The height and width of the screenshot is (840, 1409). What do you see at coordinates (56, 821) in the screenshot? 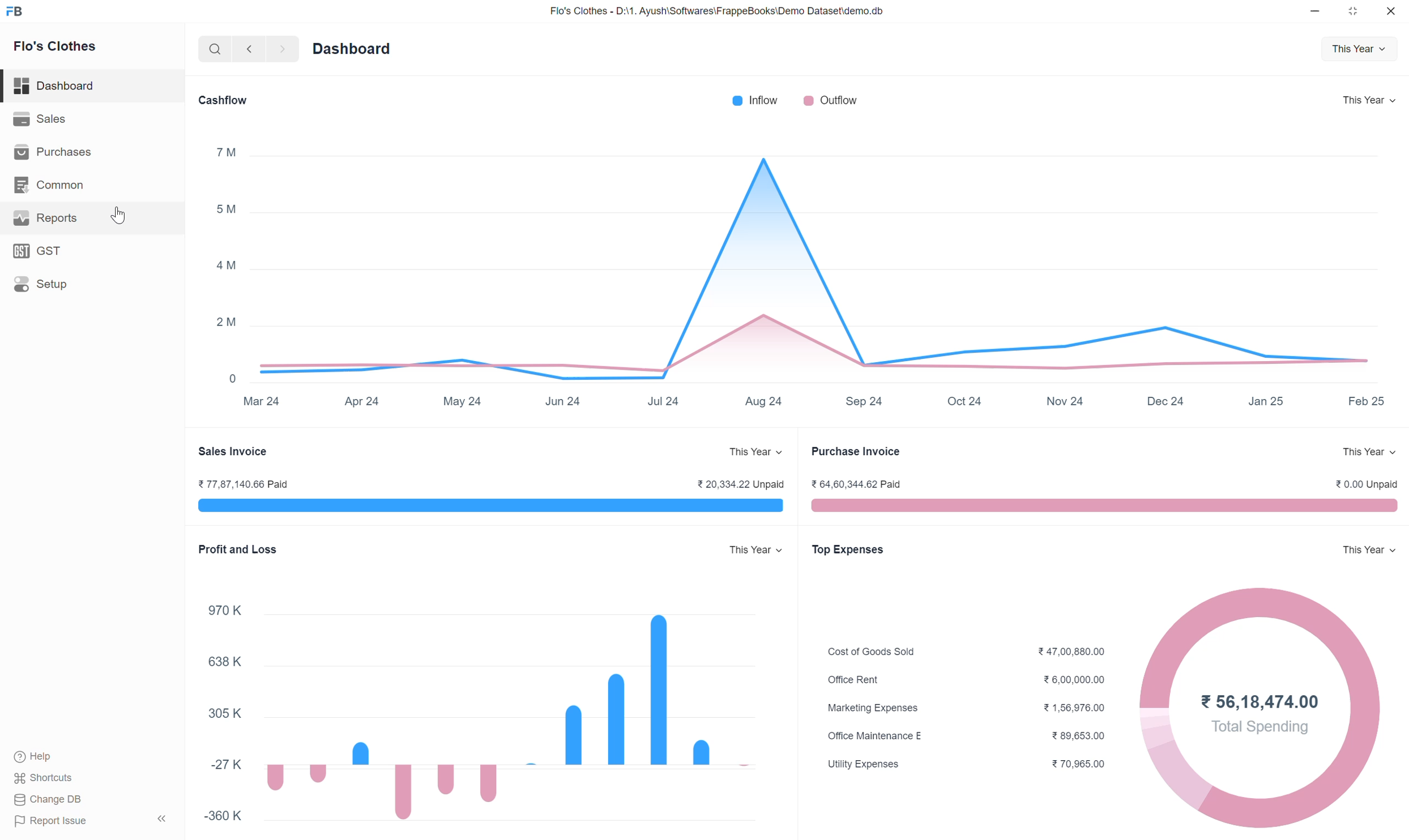
I see `report Issue` at bounding box center [56, 821].